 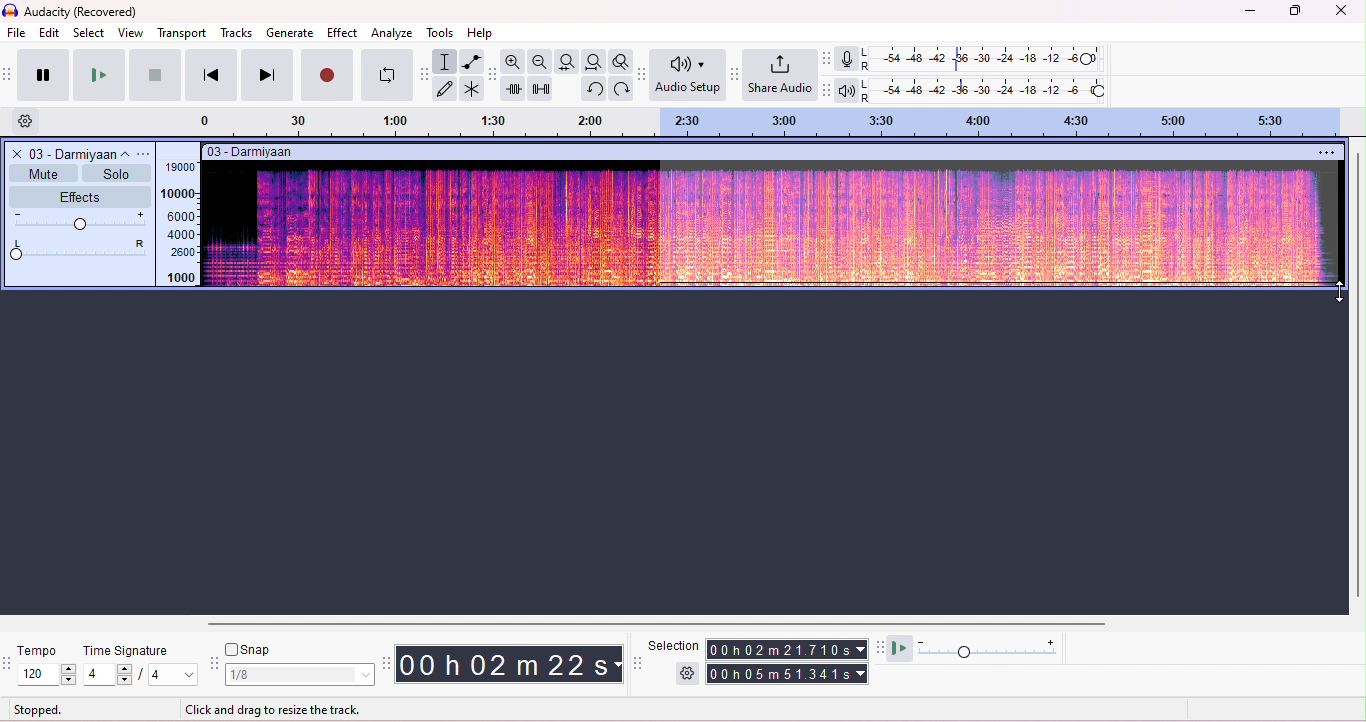 What do you see at coordinates (1293, 11) in the screenshot?
I see `maximize` at bounding box center [1293, 11].